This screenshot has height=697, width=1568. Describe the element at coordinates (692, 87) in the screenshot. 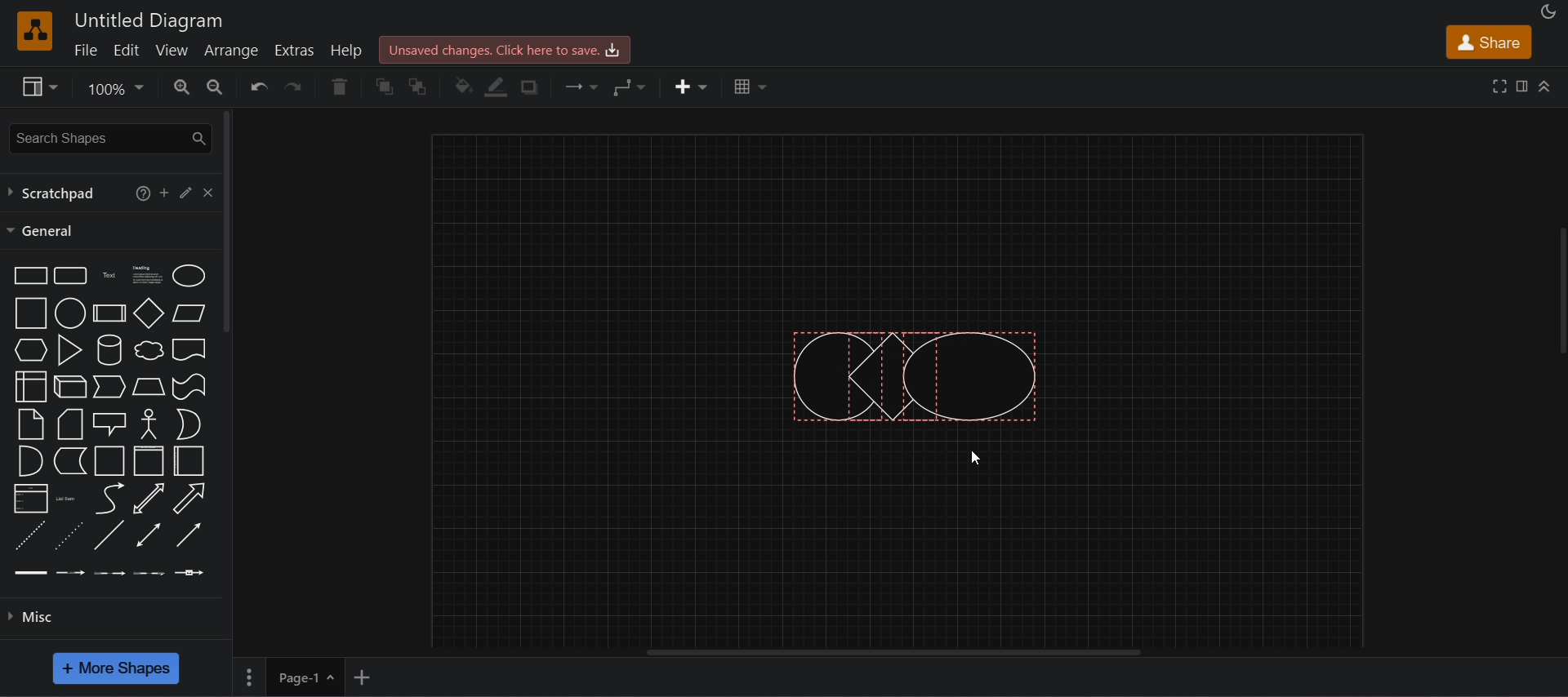

I see `insert ` at that location.